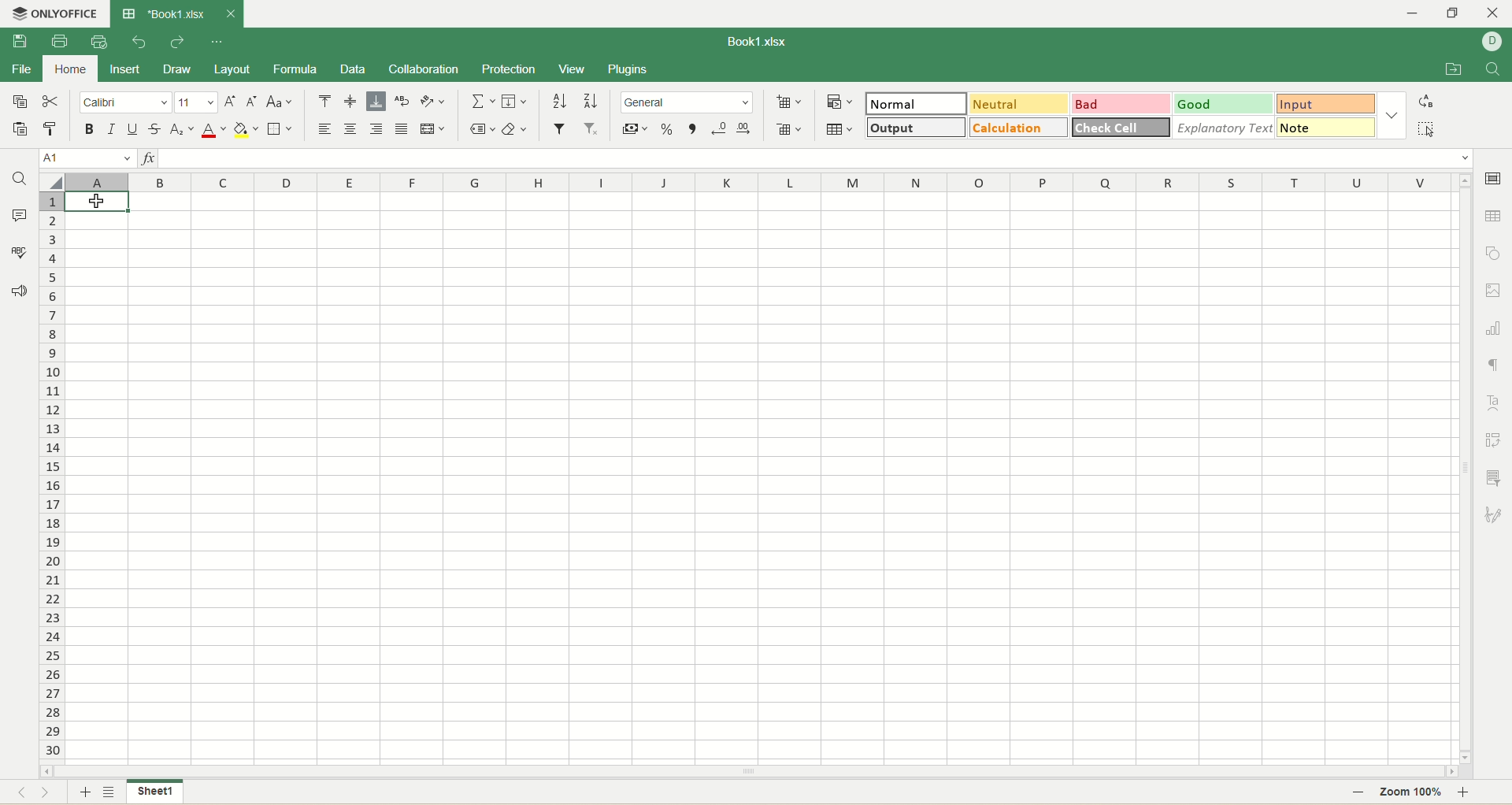  I want to click on insert cell, so click(789, 103).